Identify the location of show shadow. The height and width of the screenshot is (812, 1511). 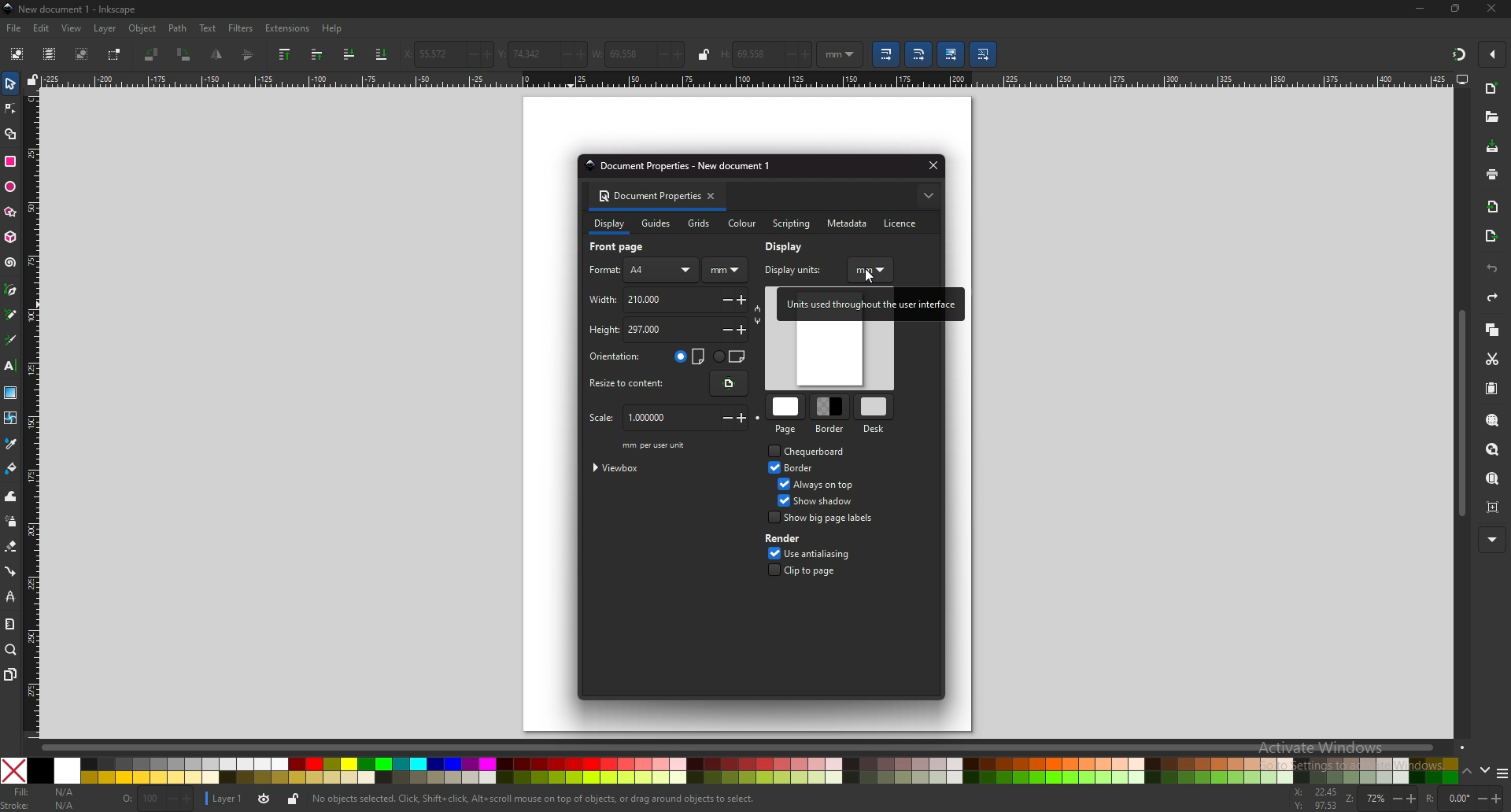
(829, 500).